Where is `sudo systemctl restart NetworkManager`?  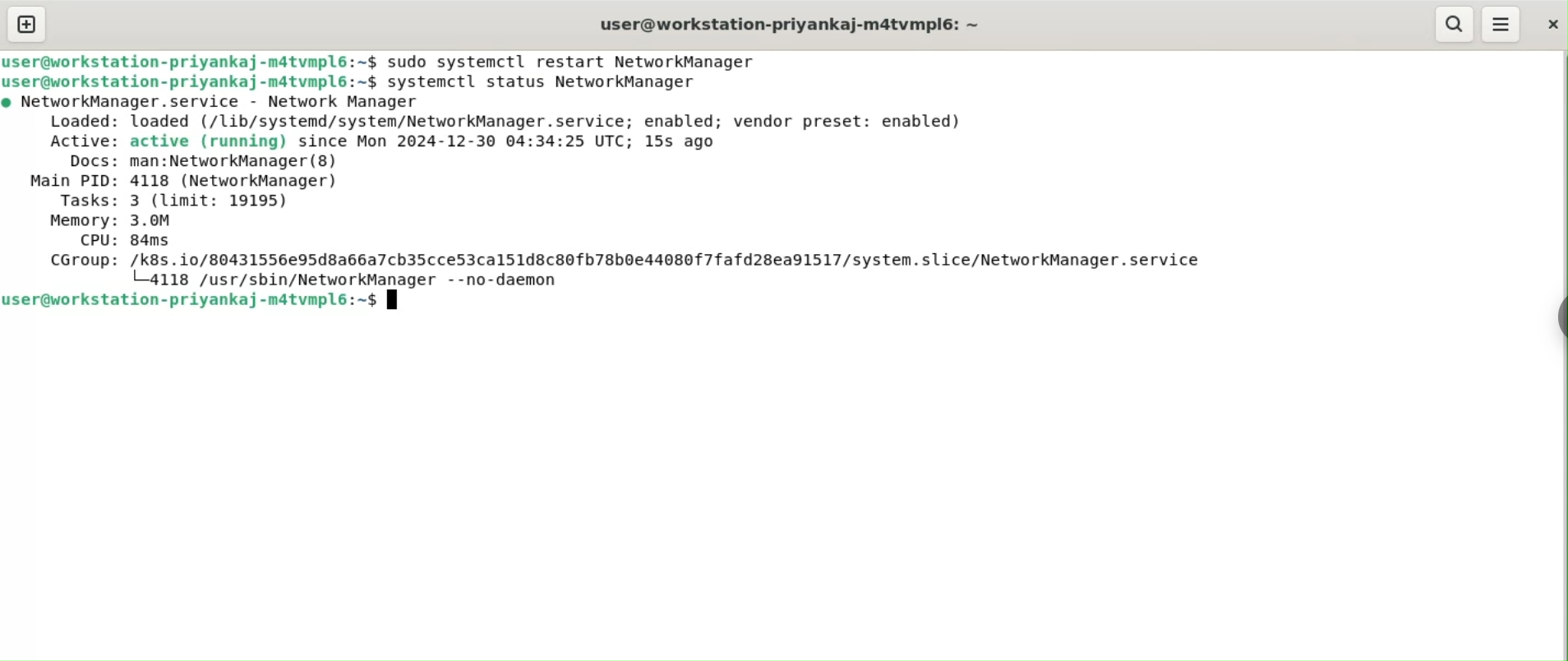
sudo systemctl restart NetworkManager is located at coordinates (578, 62).